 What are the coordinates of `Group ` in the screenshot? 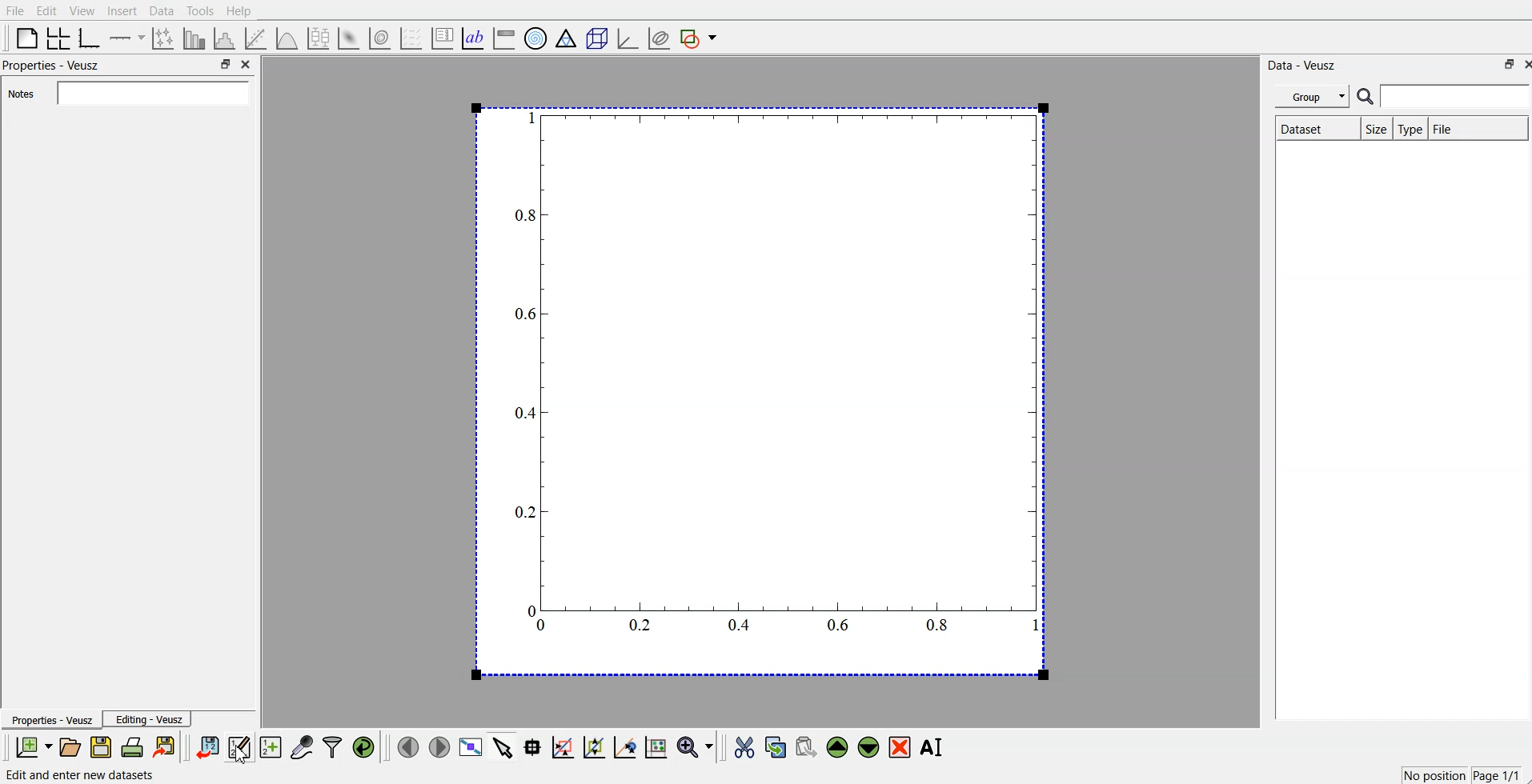 It's located at (1313, 96).